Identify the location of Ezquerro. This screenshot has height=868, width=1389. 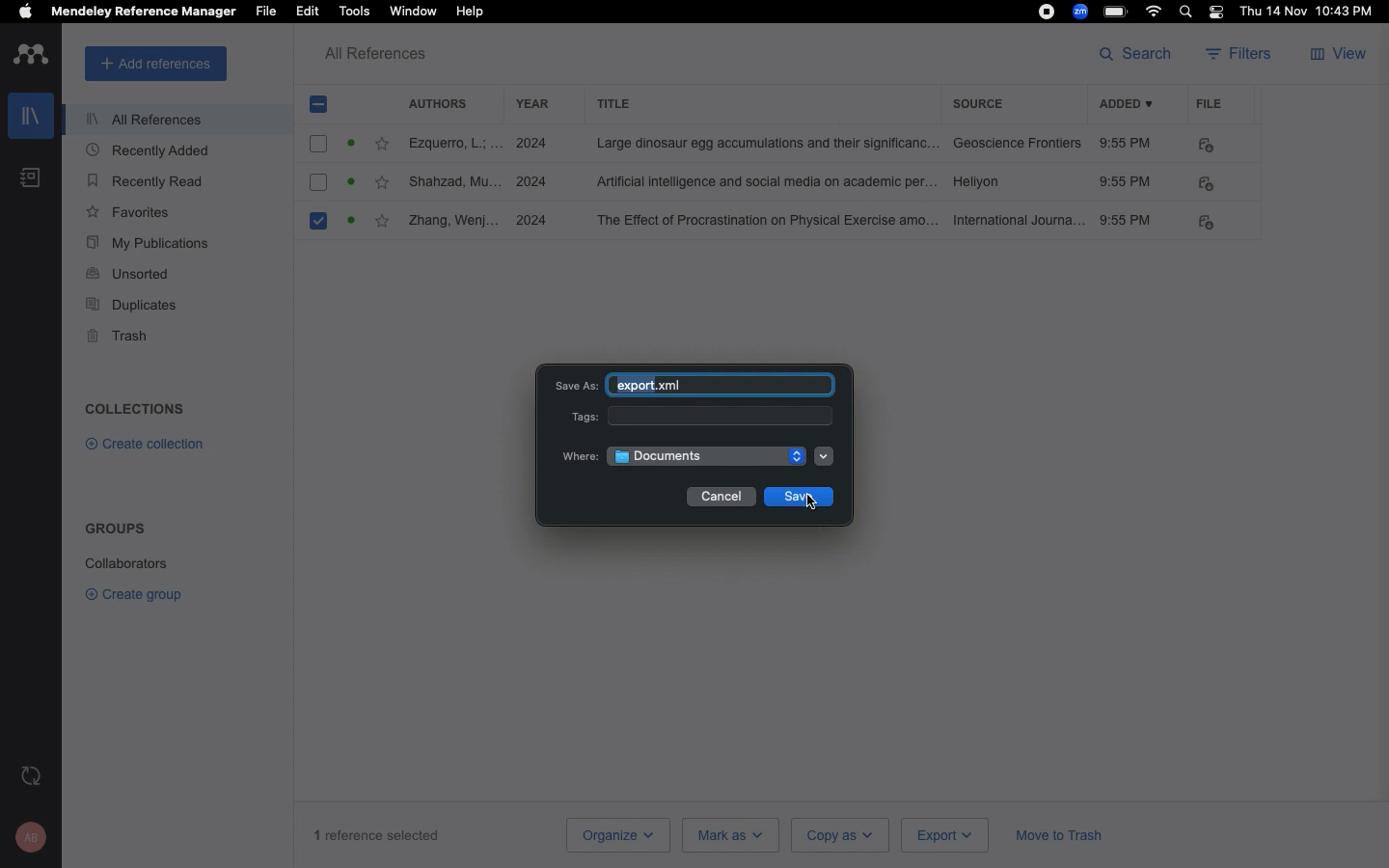
(453, 143).